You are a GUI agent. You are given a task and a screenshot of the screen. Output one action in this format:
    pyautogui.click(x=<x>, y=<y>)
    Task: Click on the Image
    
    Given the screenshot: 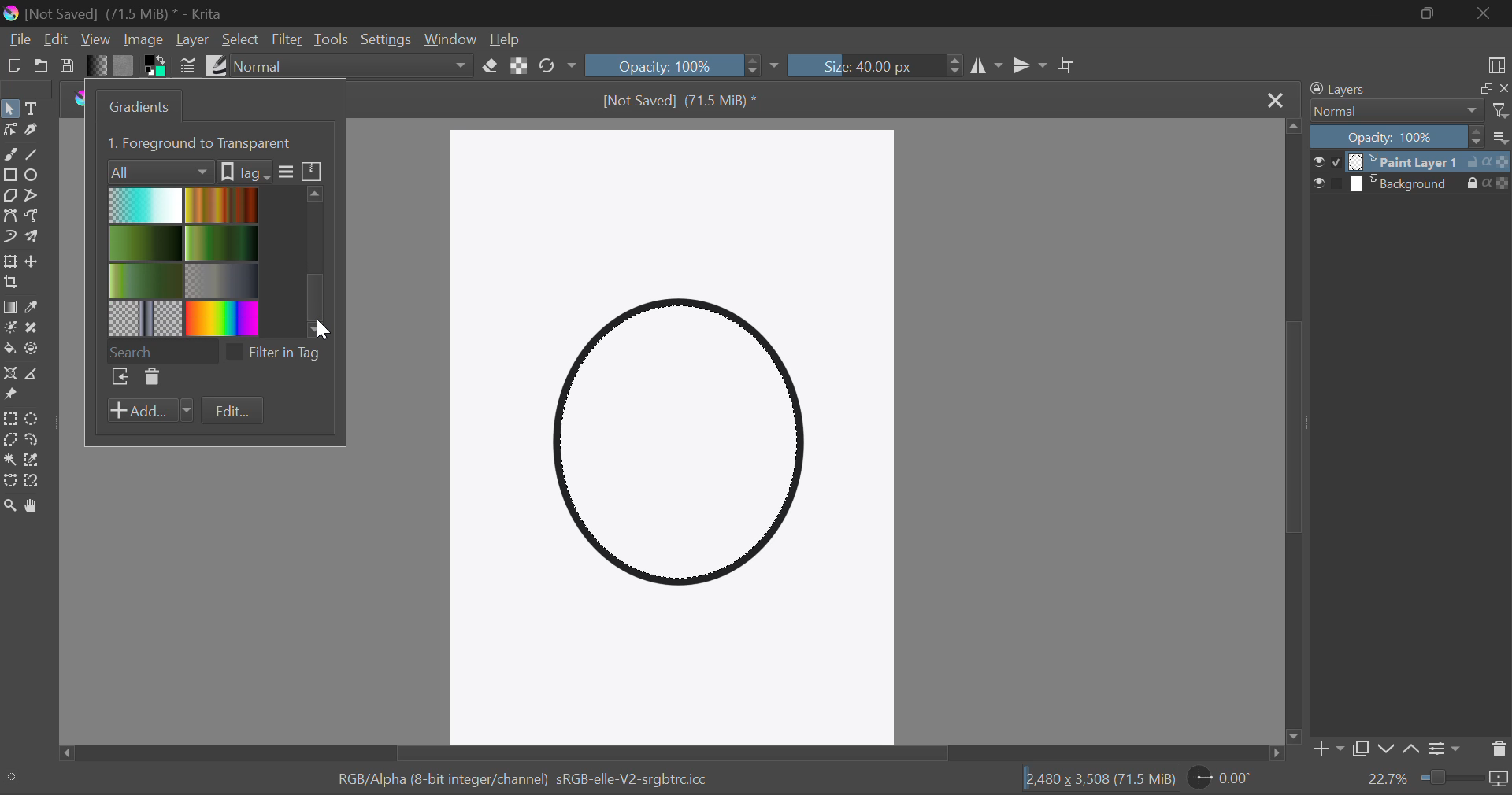 What is the action you would take?
    pyautogui.click(x=145, y=41)
    